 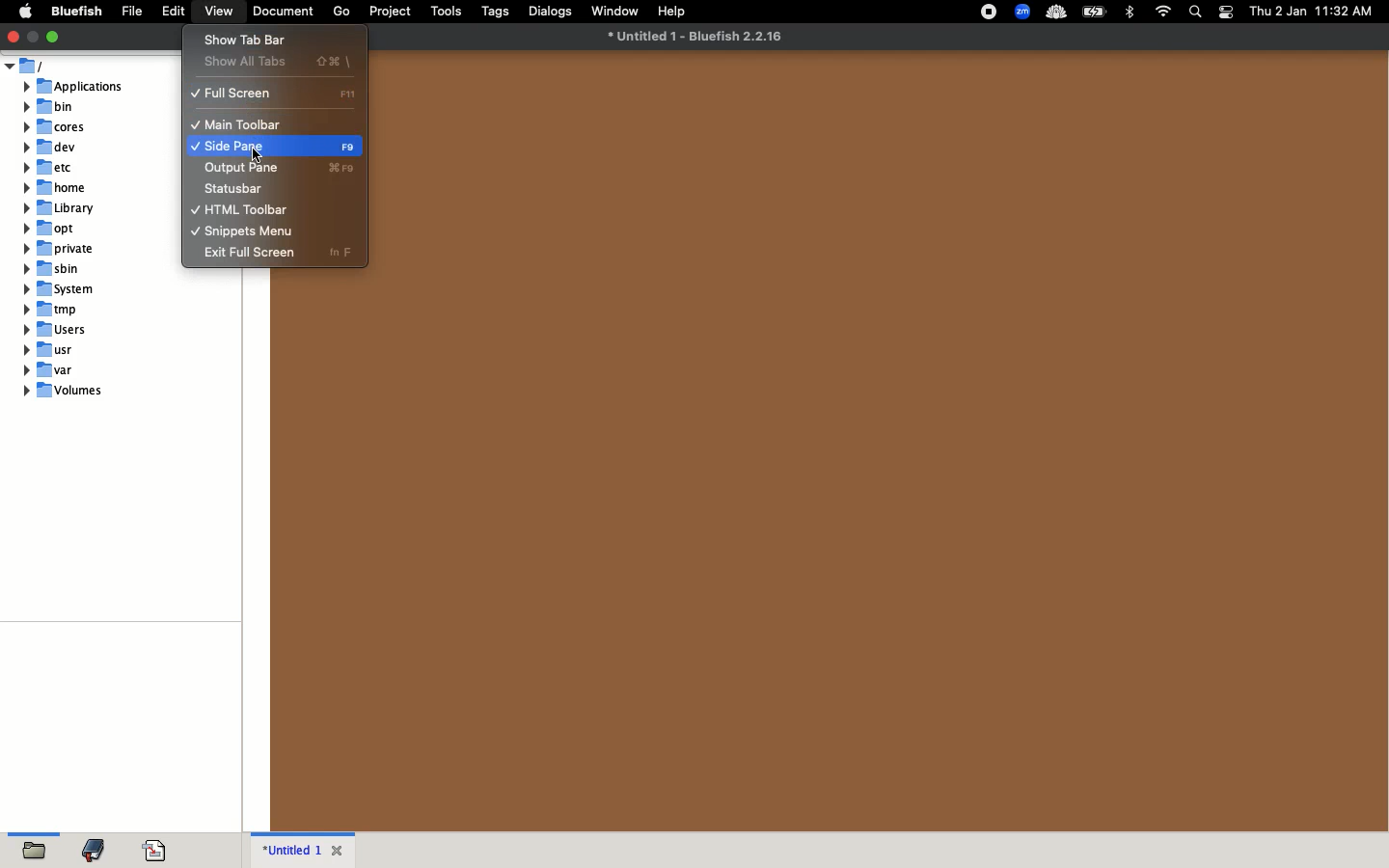 What do you see at coordinates (247, 40) in the screenshot?
I see `show tab bar` at bounding box center [247, 40].